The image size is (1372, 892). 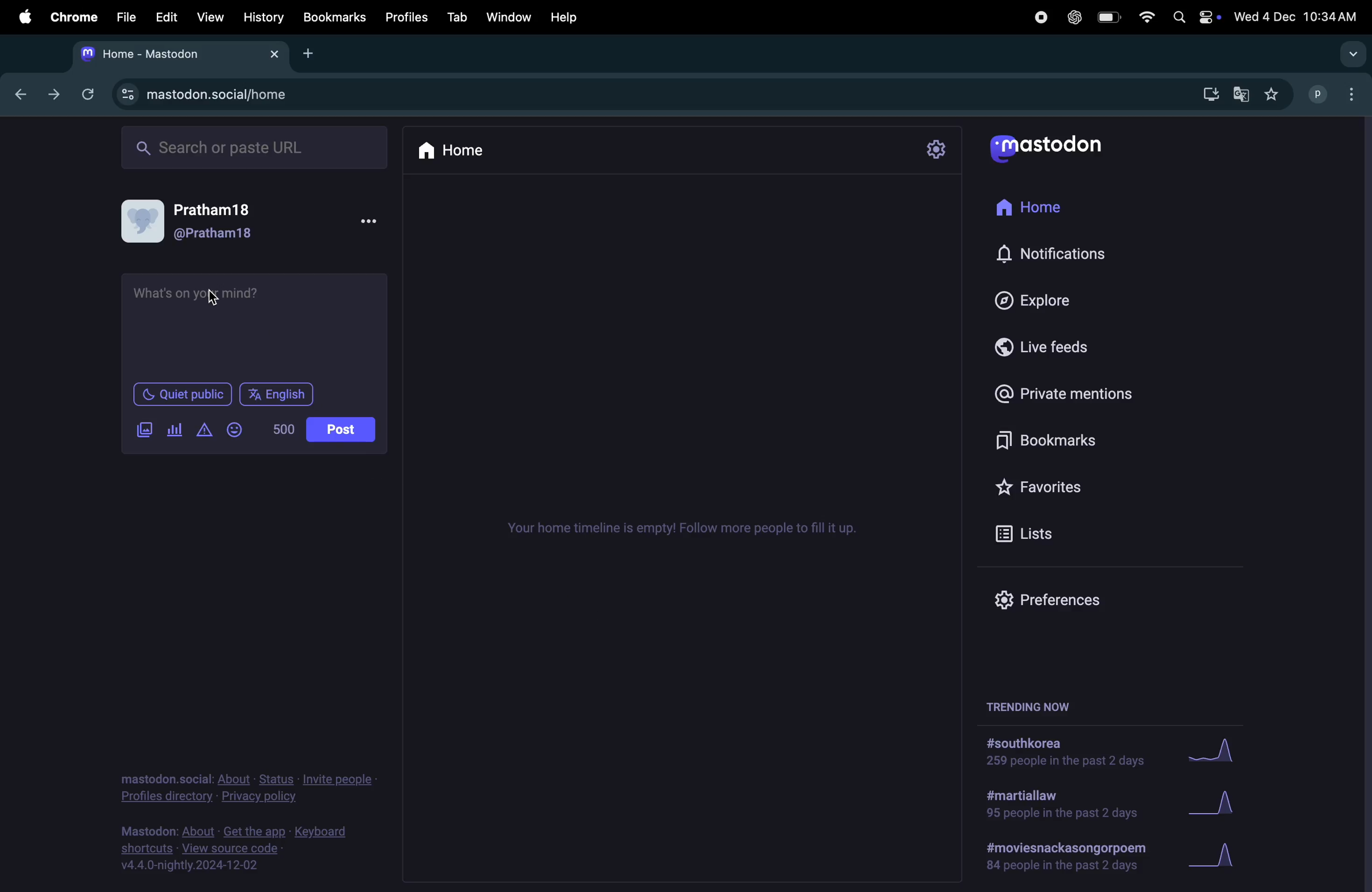 What do you see at coordinates (1039, 209) in the screenshot?
I see `Home` at bounding box center [1039, 209].